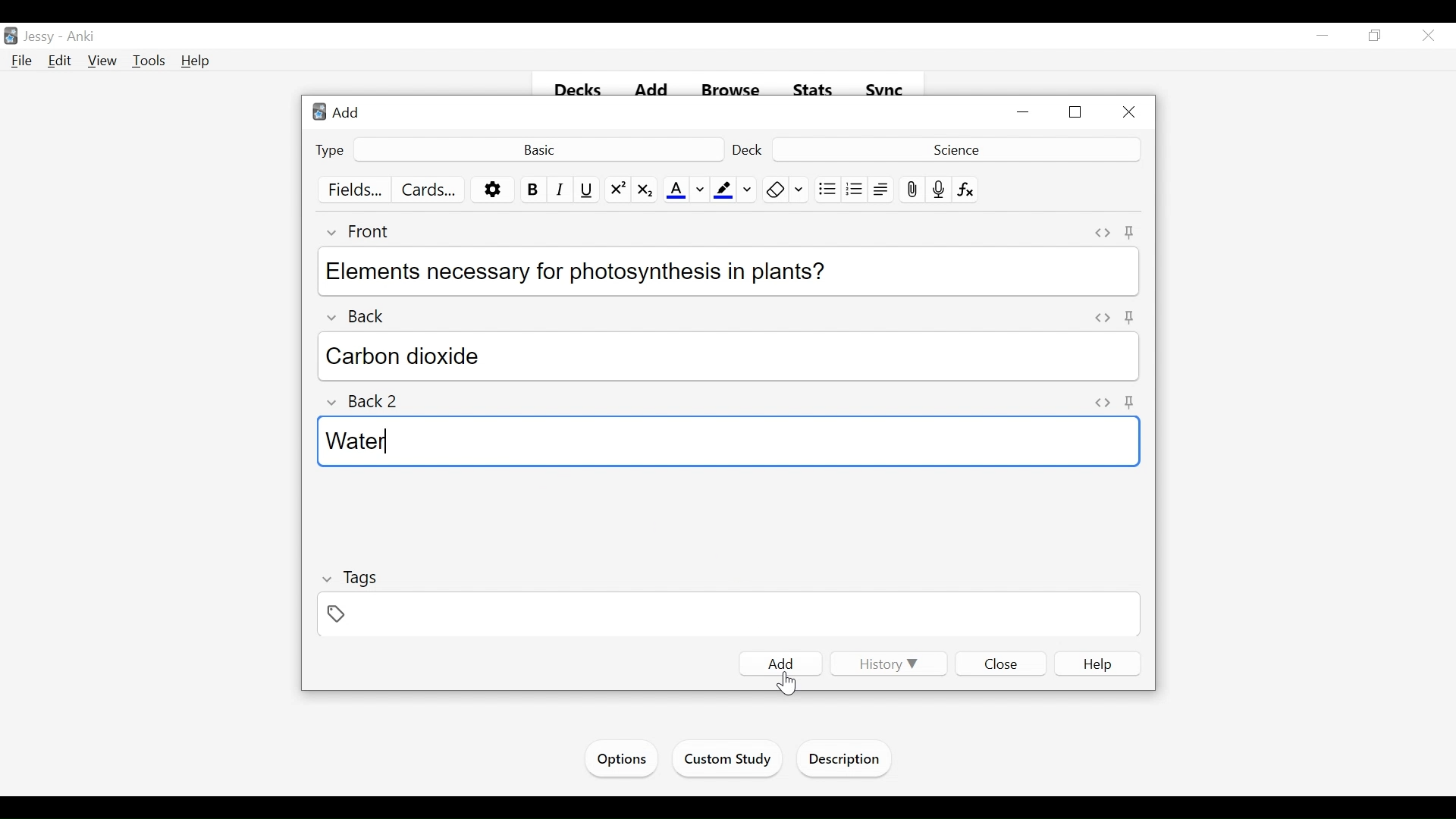 Image resolution: width=1456 pixels, height=819 pixels. I want to click on Unordered list, so click(827, 190).